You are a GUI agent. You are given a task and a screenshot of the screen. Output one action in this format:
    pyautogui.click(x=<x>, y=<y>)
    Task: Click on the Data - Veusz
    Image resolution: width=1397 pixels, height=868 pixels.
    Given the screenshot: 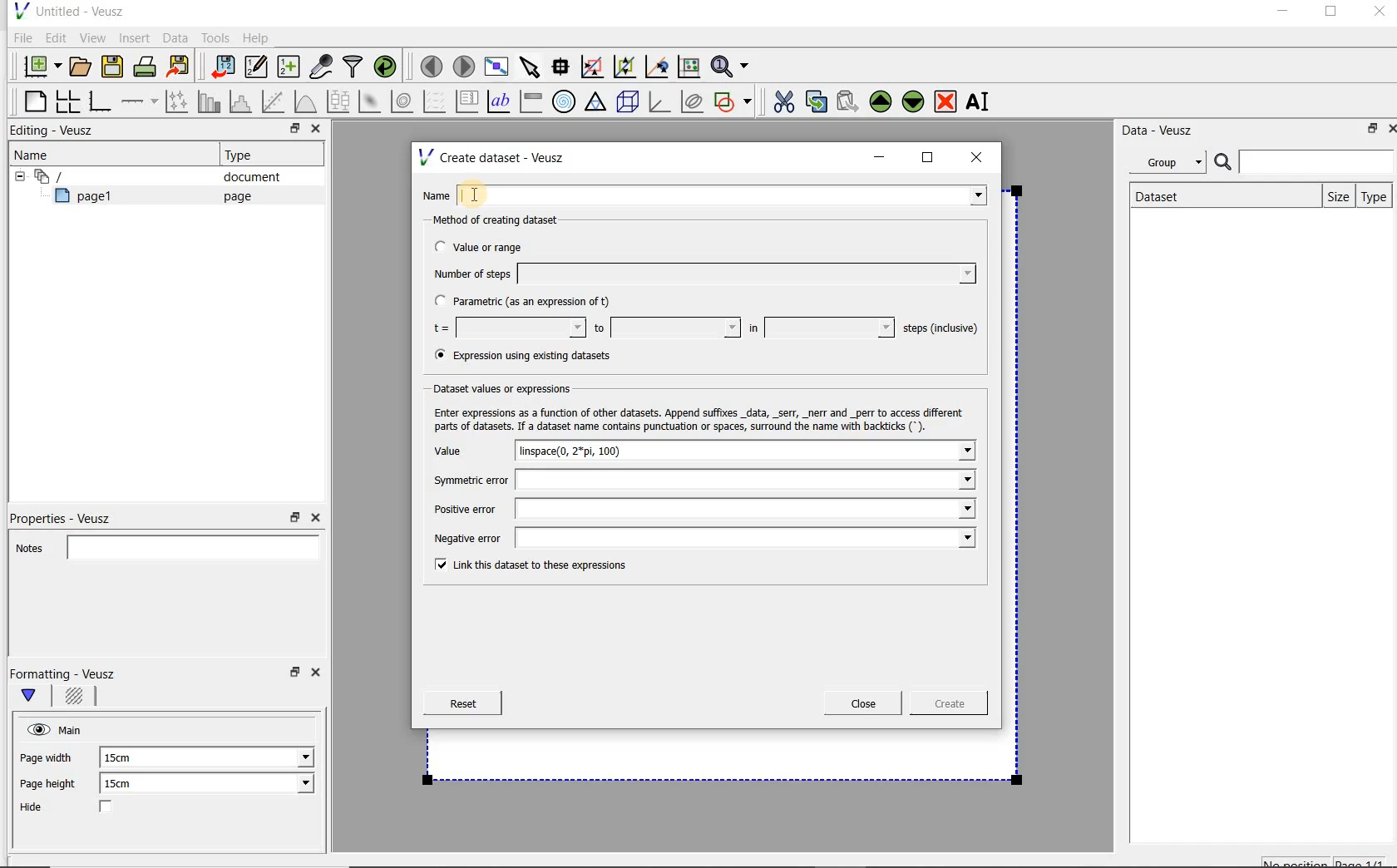 What is the action you would take?
    pyautogui.click(x=1163, y=130)
    